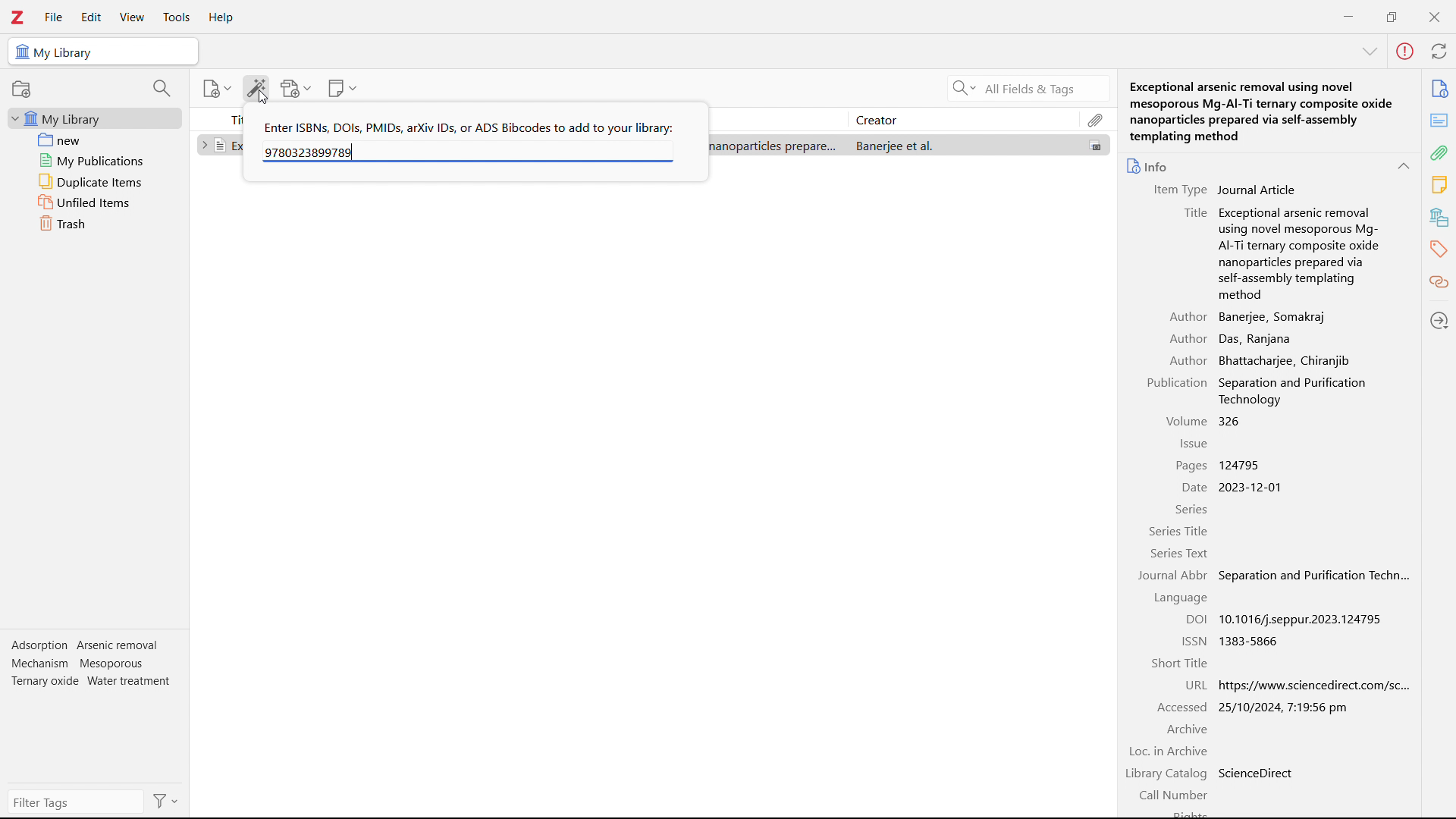  What do you see at coordinates (1180, 532) in the screenshot?
I see `Series title` at bounding box center [1180, 532].